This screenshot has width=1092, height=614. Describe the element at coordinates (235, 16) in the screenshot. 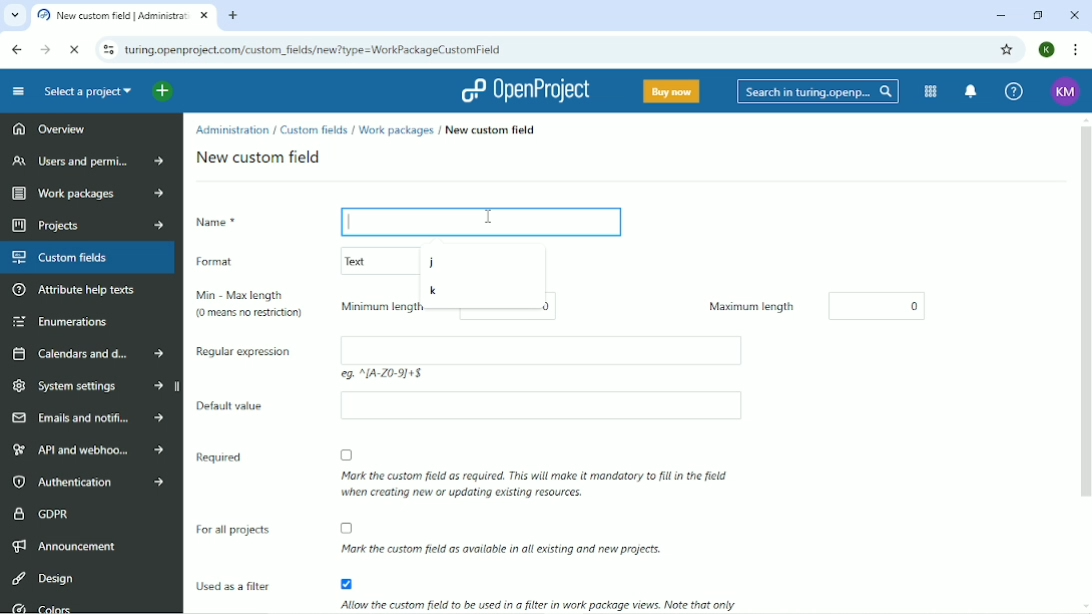

I see `New tab` at that location.